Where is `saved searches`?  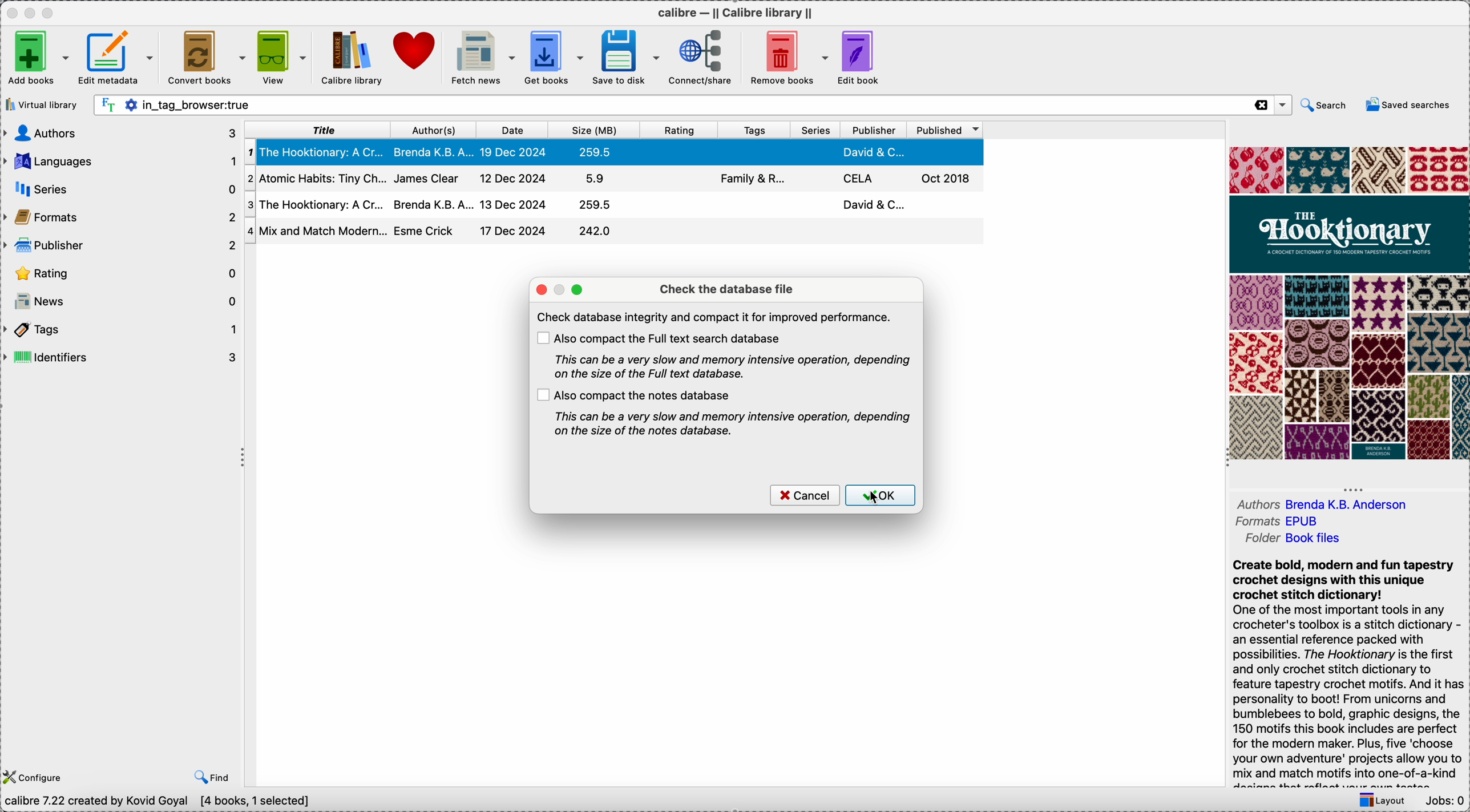
saved searches is located at coordinates (1408, 106).